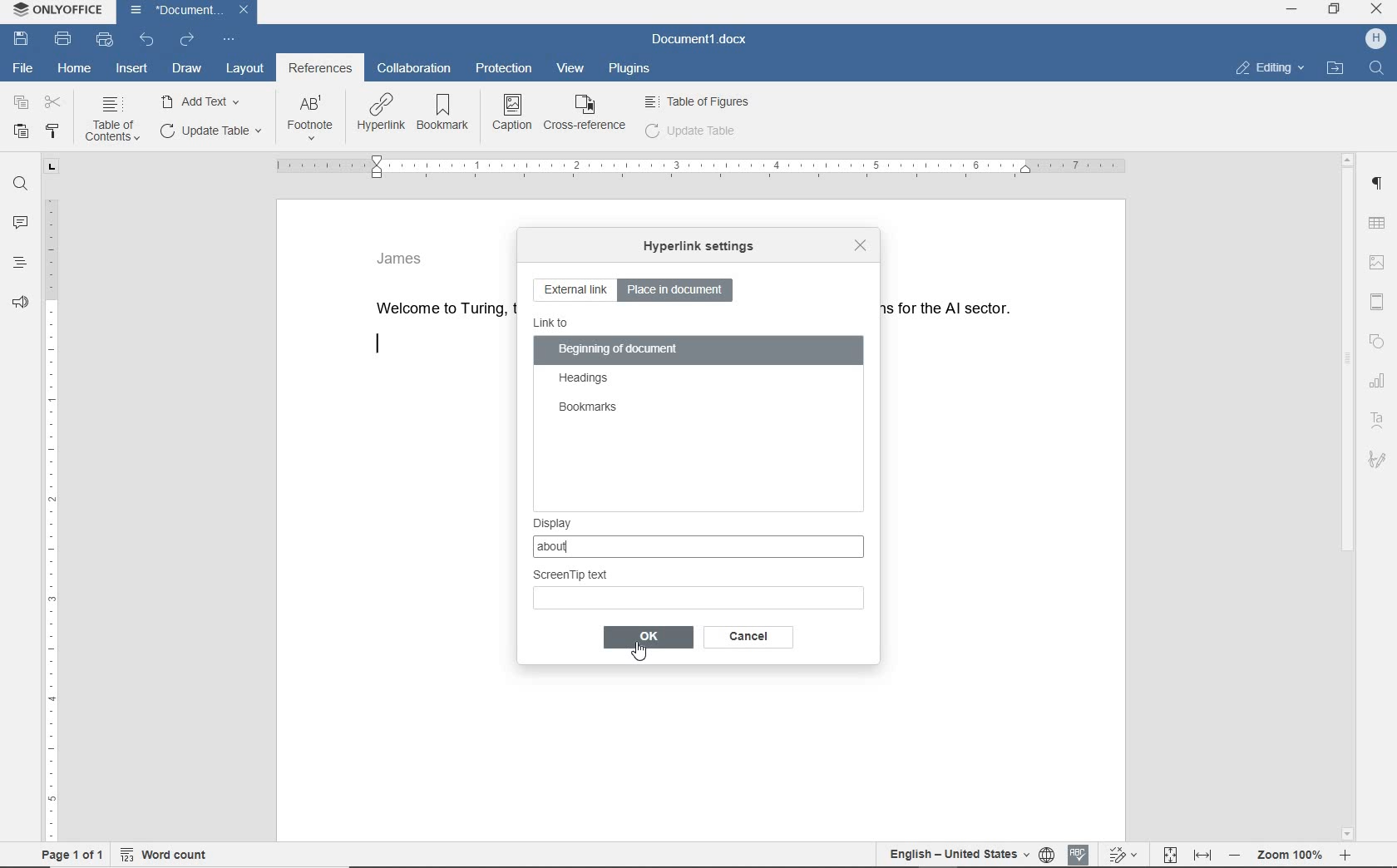  Describe the element at coordinates (310, 121) in the screenshot. I see `FOOTNOTE` at that location.